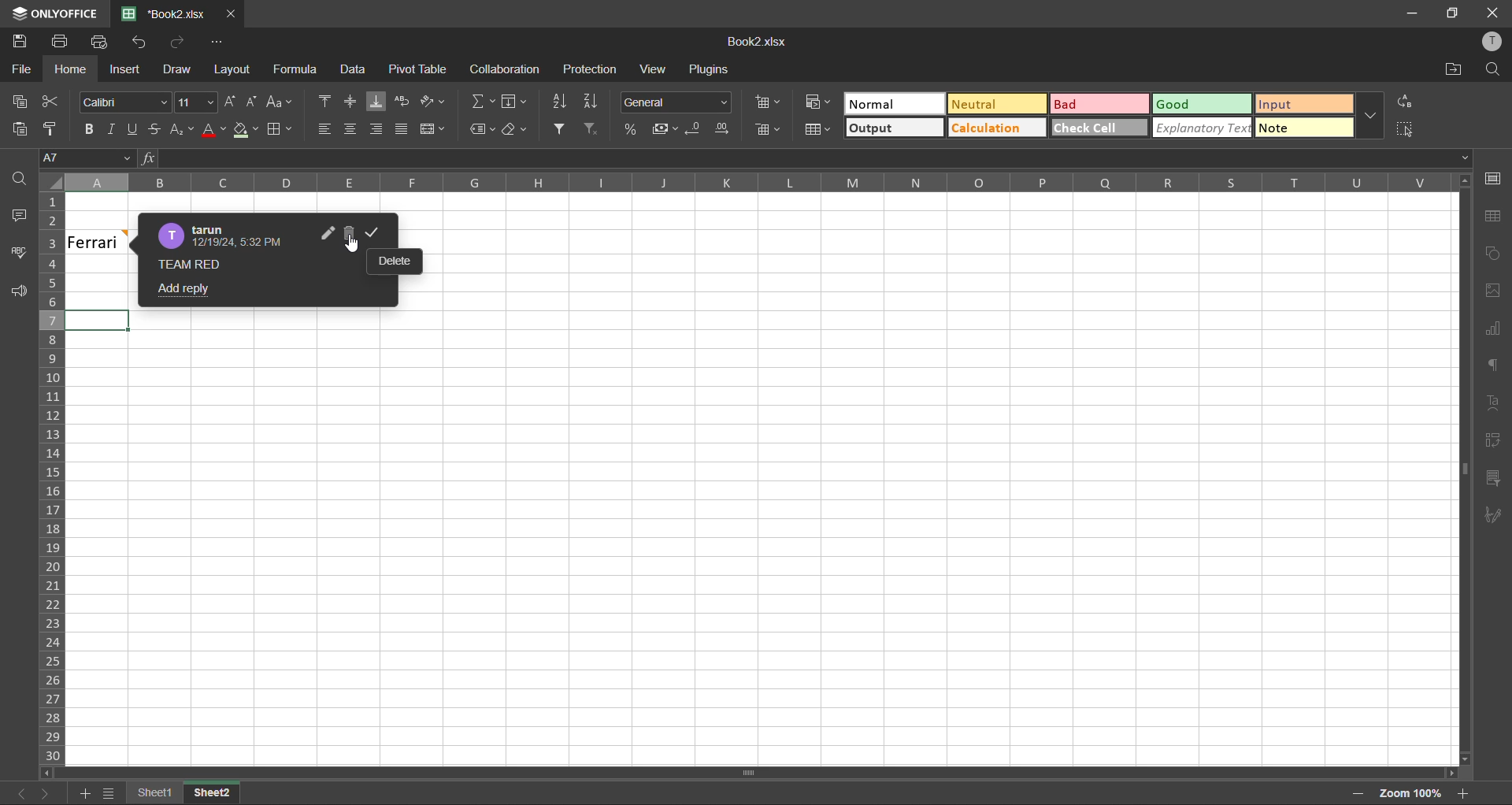  What do you see at coordinates (154, 128) in the screenshot?
I see `strikethrough` at bounding box center [154, 128].